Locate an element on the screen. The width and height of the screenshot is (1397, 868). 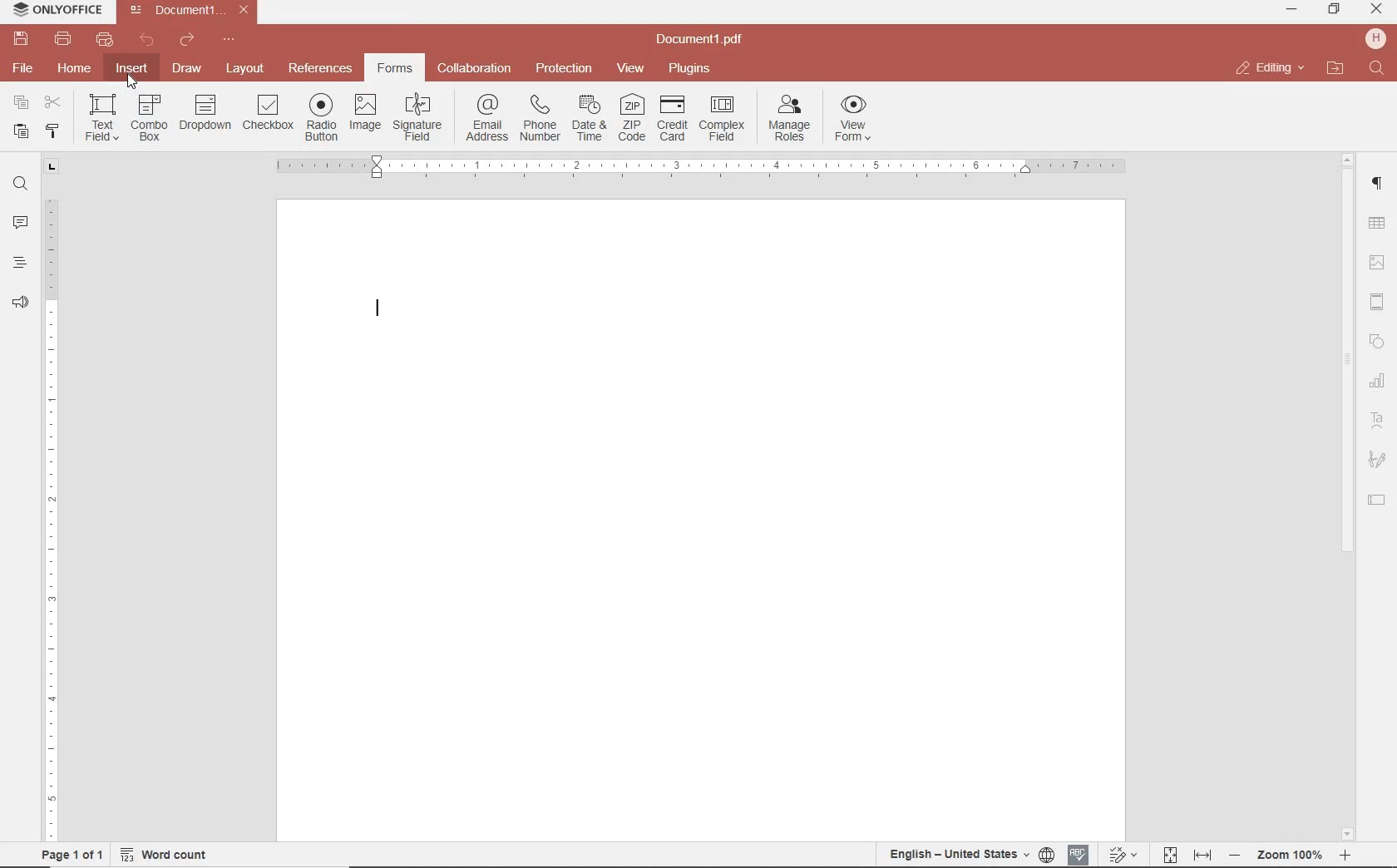
collaboration is located at coordinates (474, 69).